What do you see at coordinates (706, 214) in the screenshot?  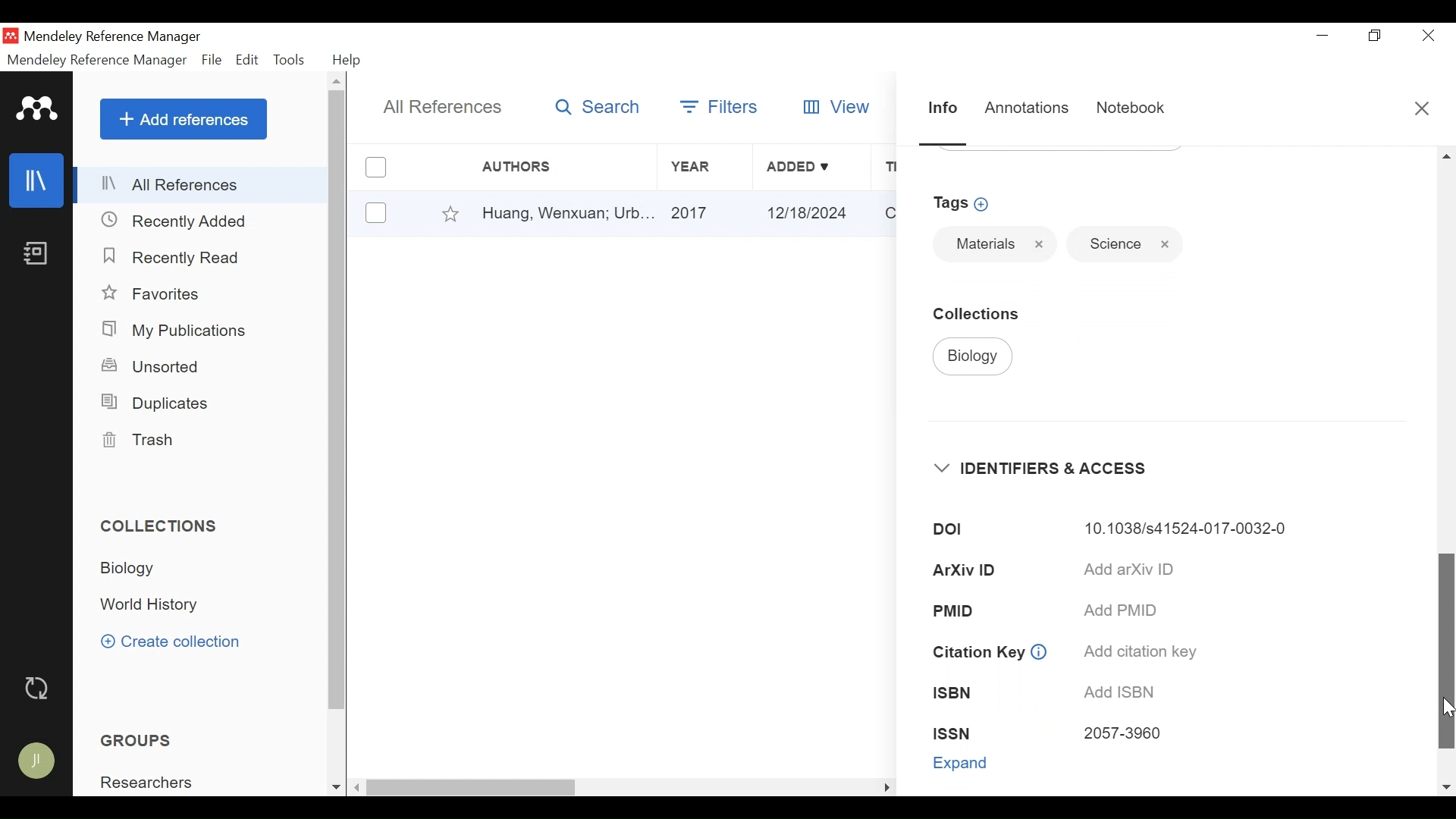 I see `2017` at bounding box center [706, 214].